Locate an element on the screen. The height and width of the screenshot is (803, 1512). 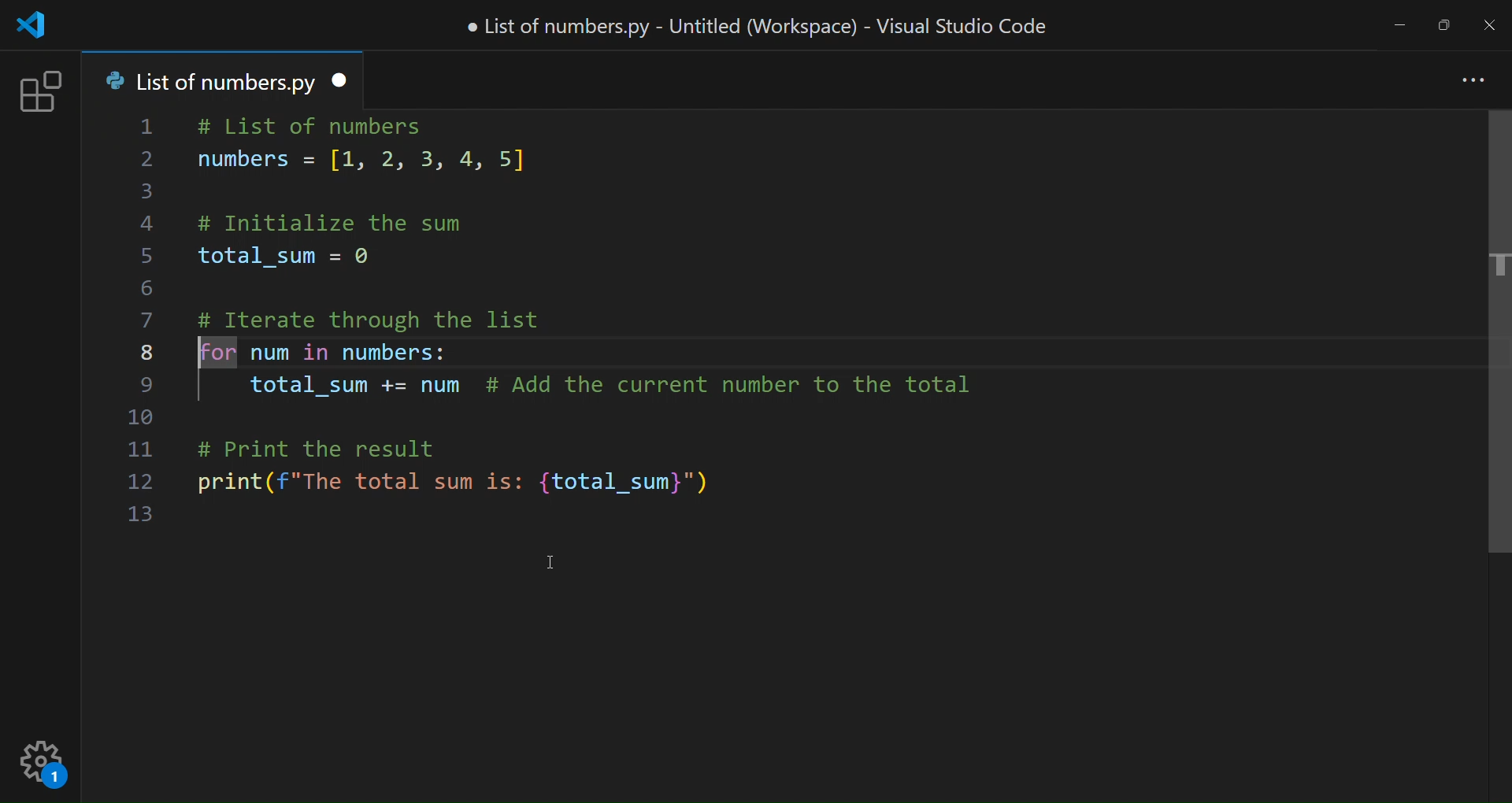
code is located at coordinates (580, 313).